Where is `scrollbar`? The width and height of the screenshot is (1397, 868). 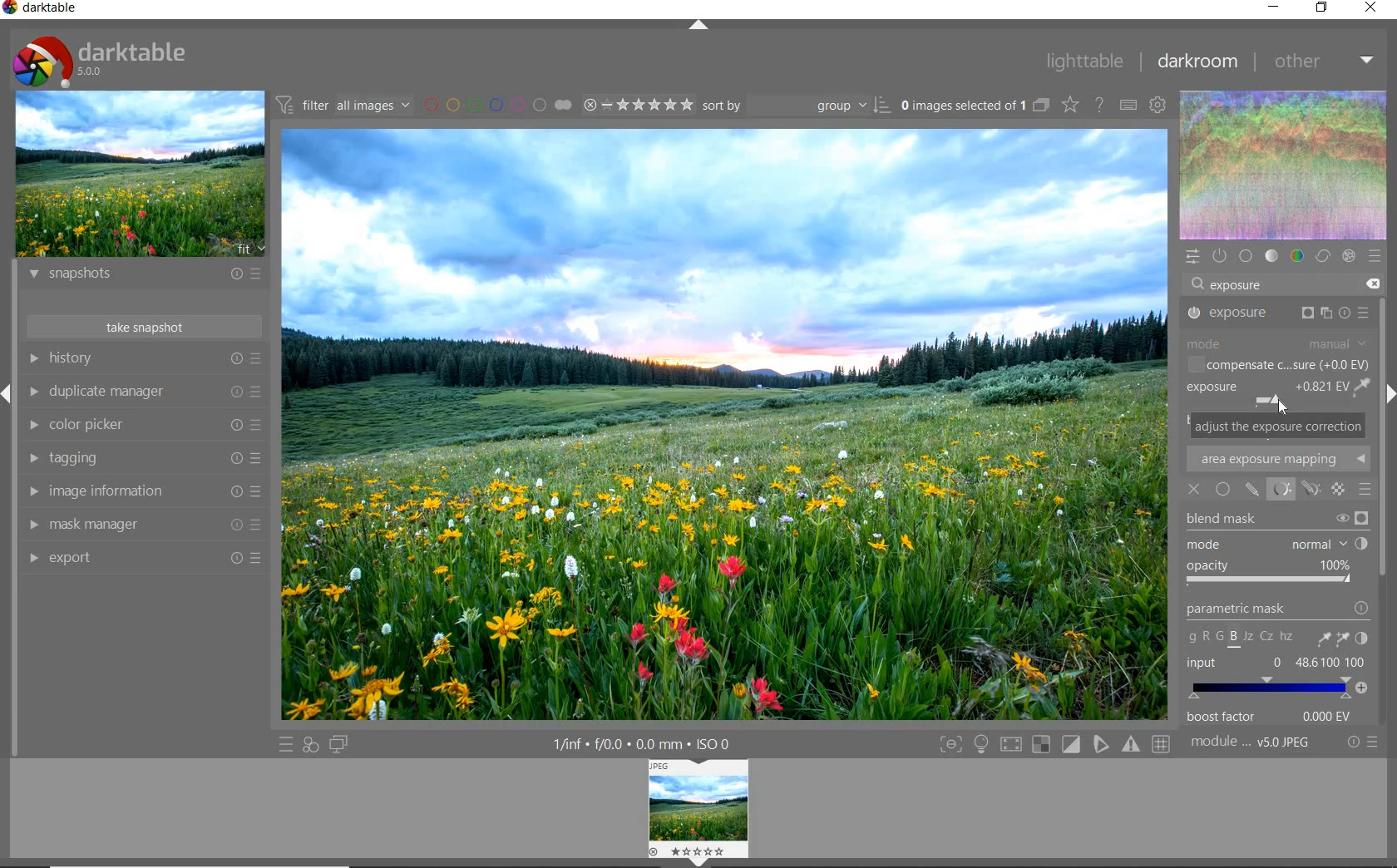
scrollbar is located at coordinates (1383, 452).